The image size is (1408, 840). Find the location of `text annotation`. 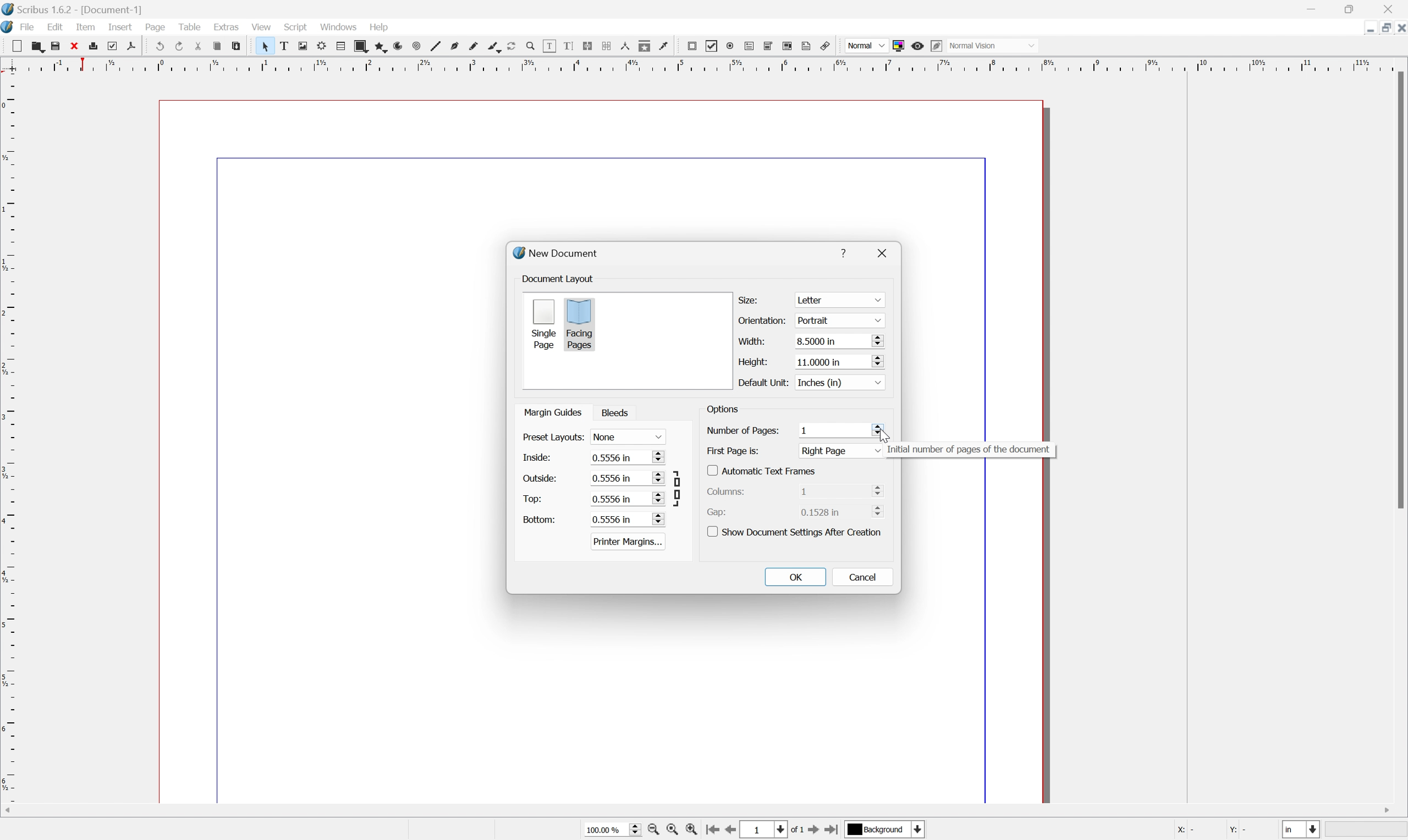

text annotation is located at coordinates (807, 46).